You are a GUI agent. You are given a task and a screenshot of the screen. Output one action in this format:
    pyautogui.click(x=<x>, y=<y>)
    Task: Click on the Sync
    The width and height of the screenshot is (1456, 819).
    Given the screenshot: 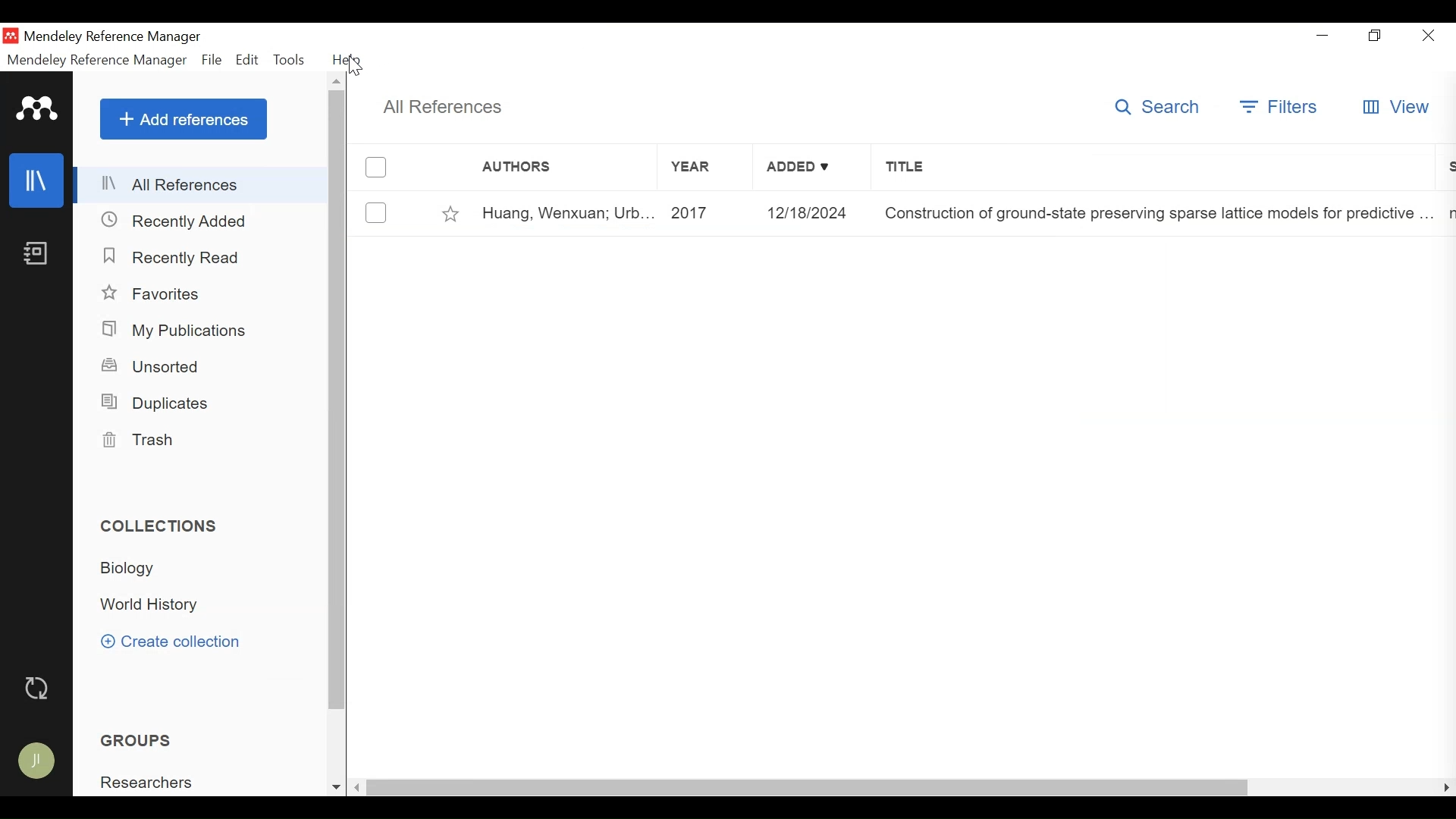 What is the action you would take?
    pyautogui.click(x=37, y=689)
    